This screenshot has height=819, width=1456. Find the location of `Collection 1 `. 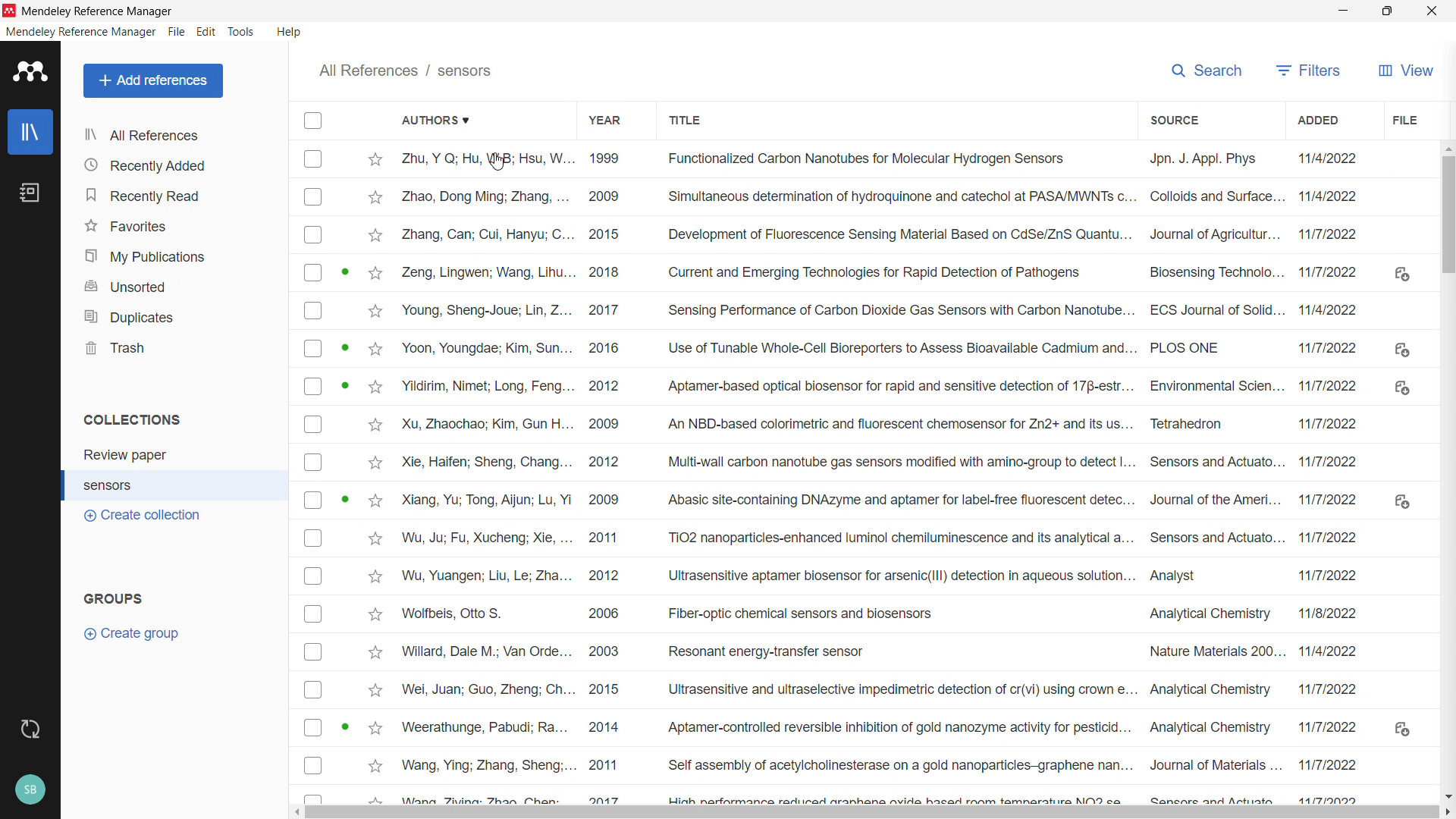

Collection 1  is located at coordinates (179, 456).